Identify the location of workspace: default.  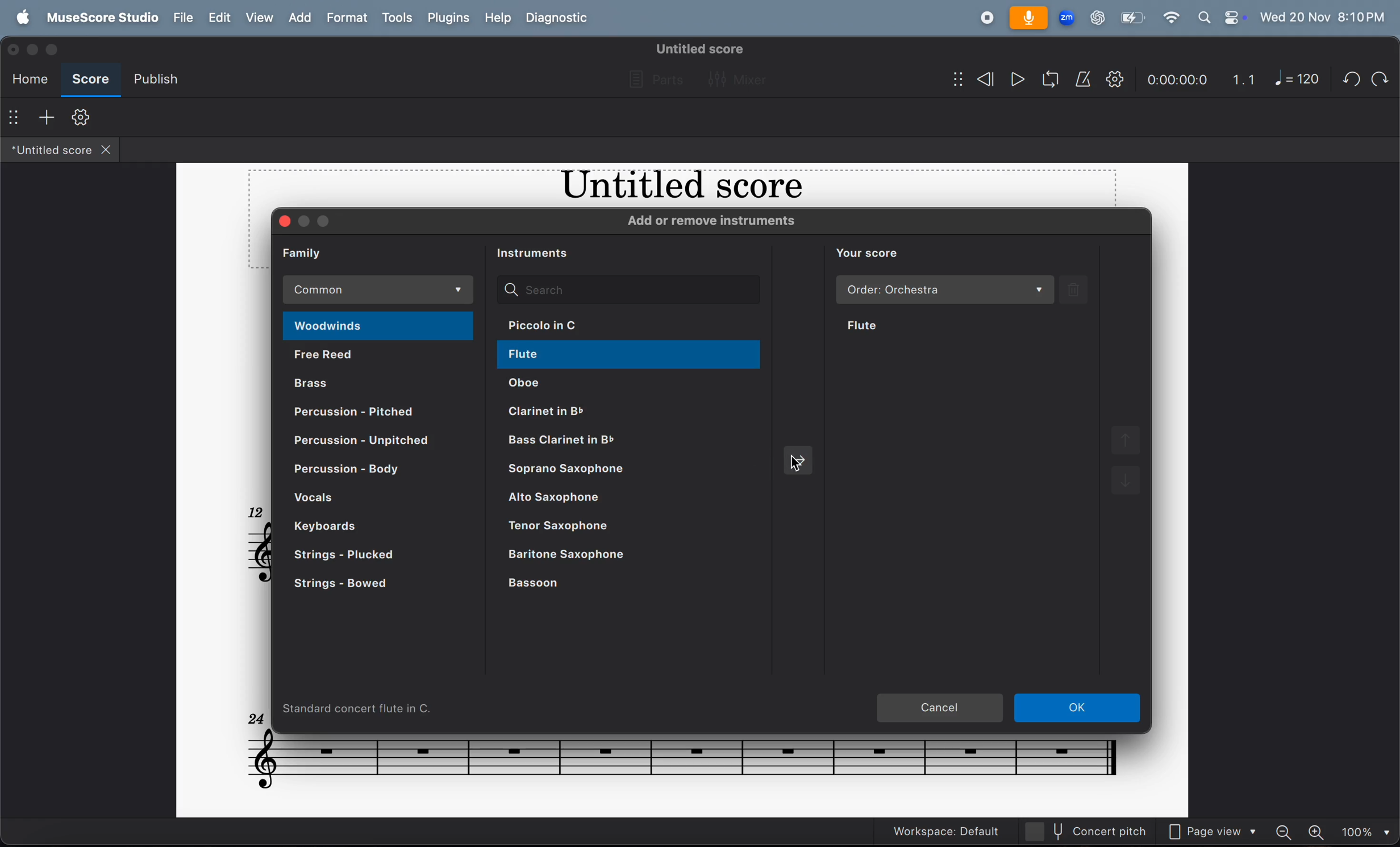
(942, 829).